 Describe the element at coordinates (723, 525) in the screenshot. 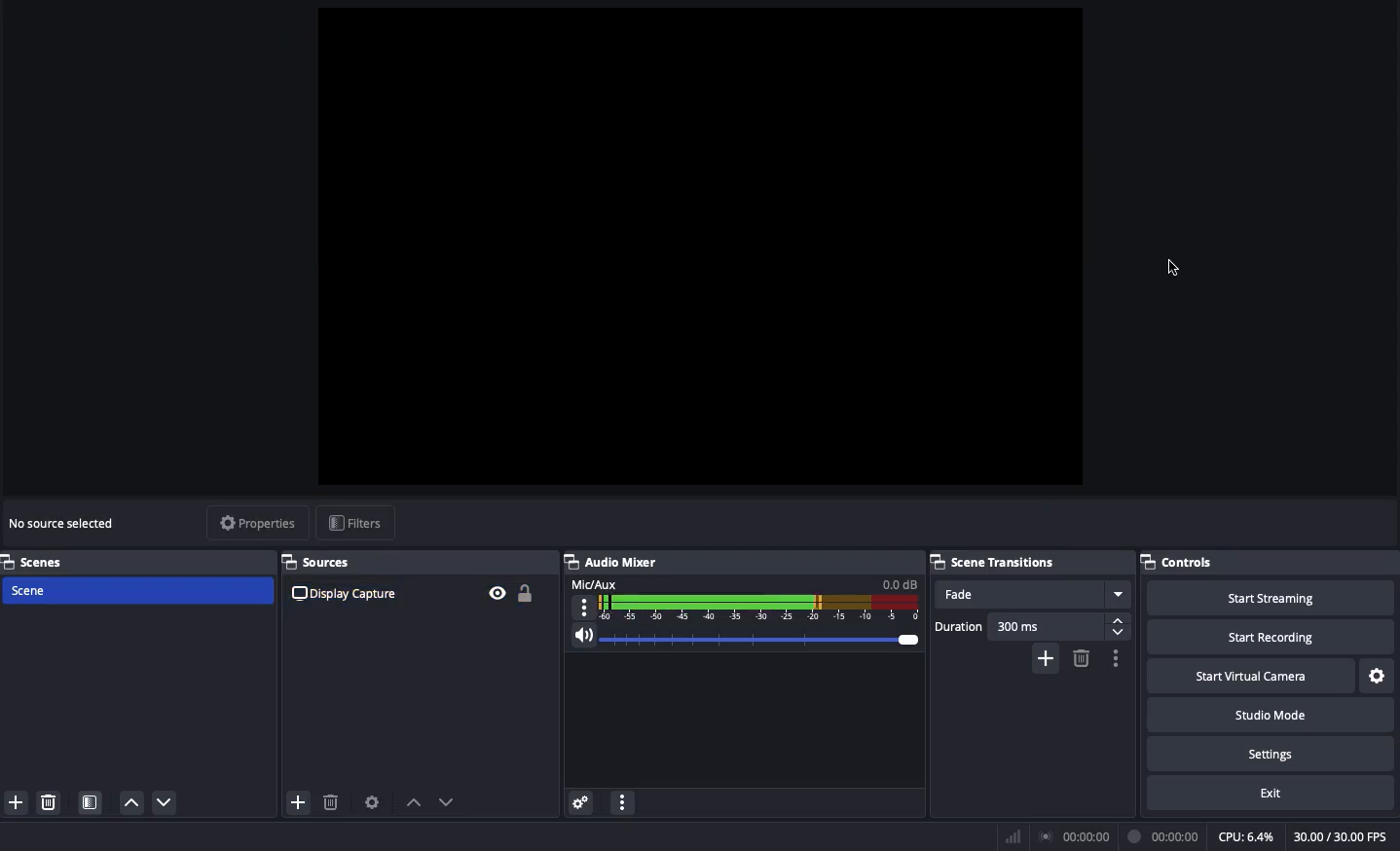

I see `Display` at that location.